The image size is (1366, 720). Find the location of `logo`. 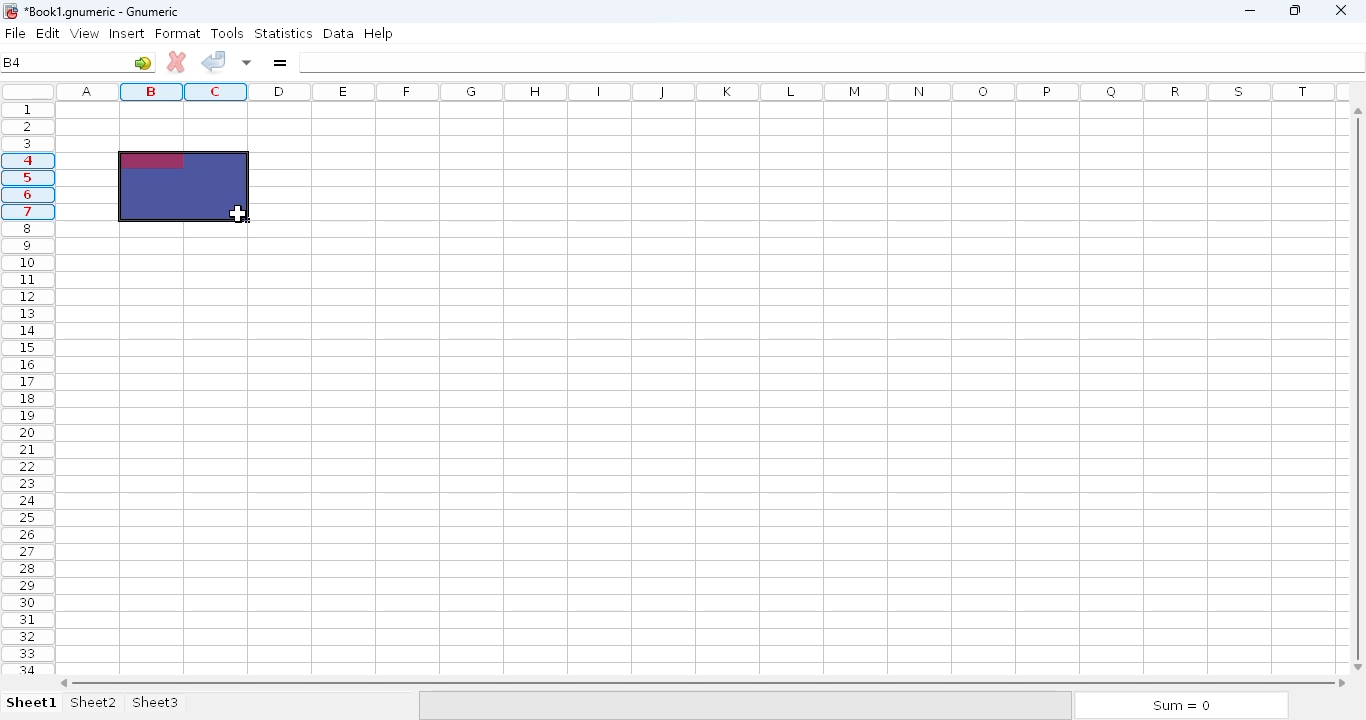

logo is located at coordinates (10, 12).